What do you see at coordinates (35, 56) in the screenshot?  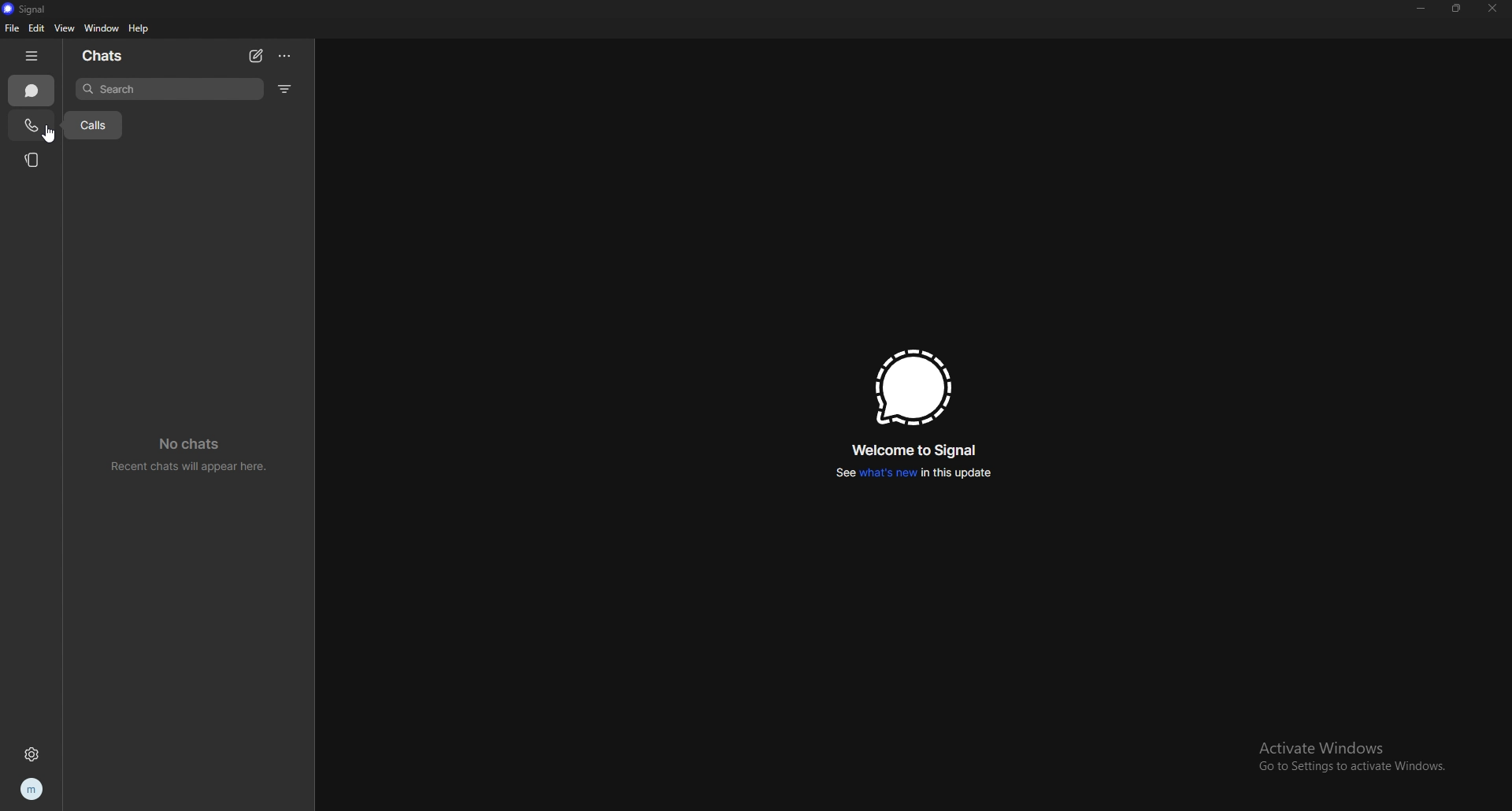 I see `hide tab` at bounding box center [35, 56].